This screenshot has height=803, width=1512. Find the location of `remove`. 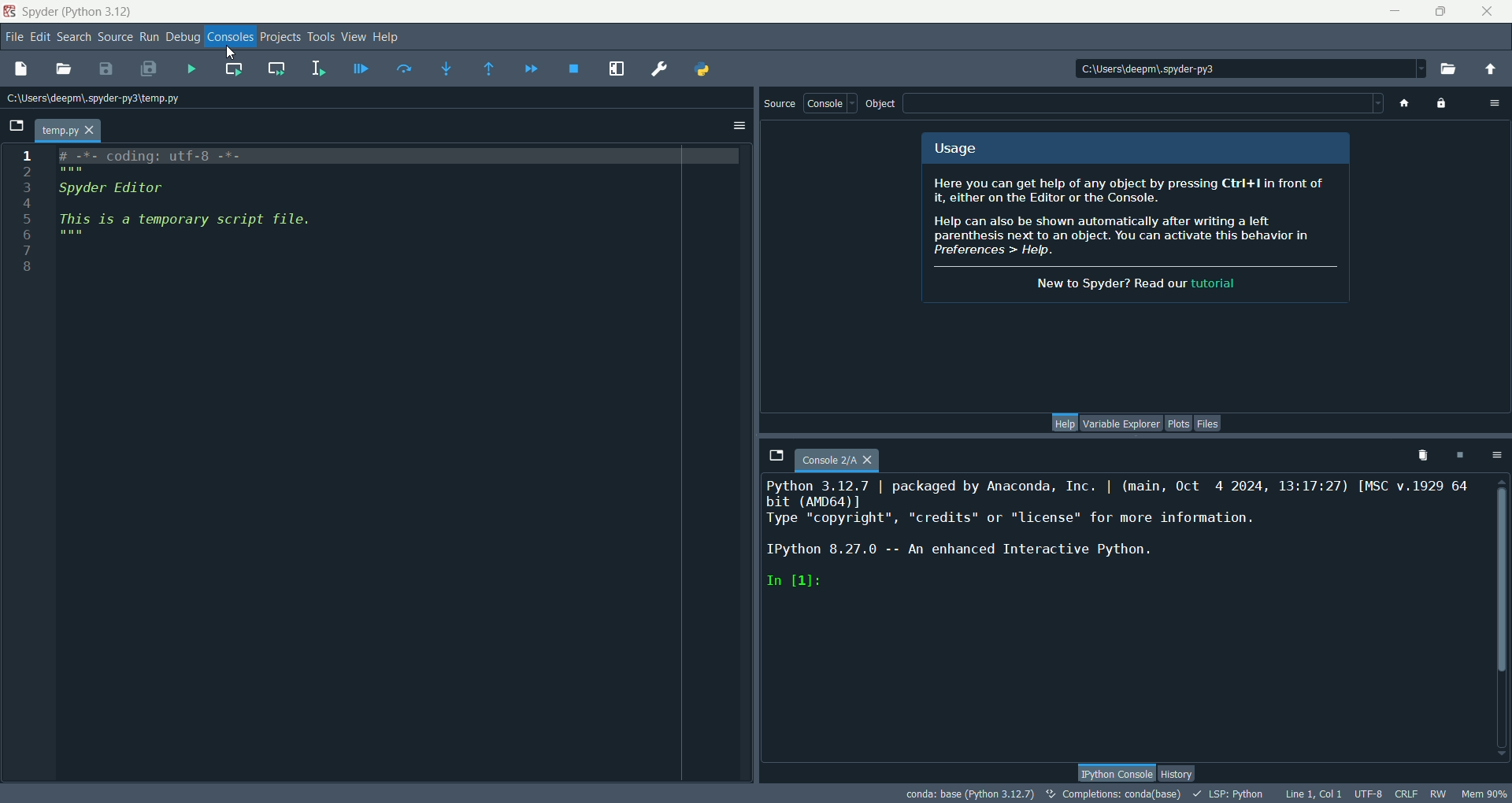

remove is located at coordinates (1420, 456).